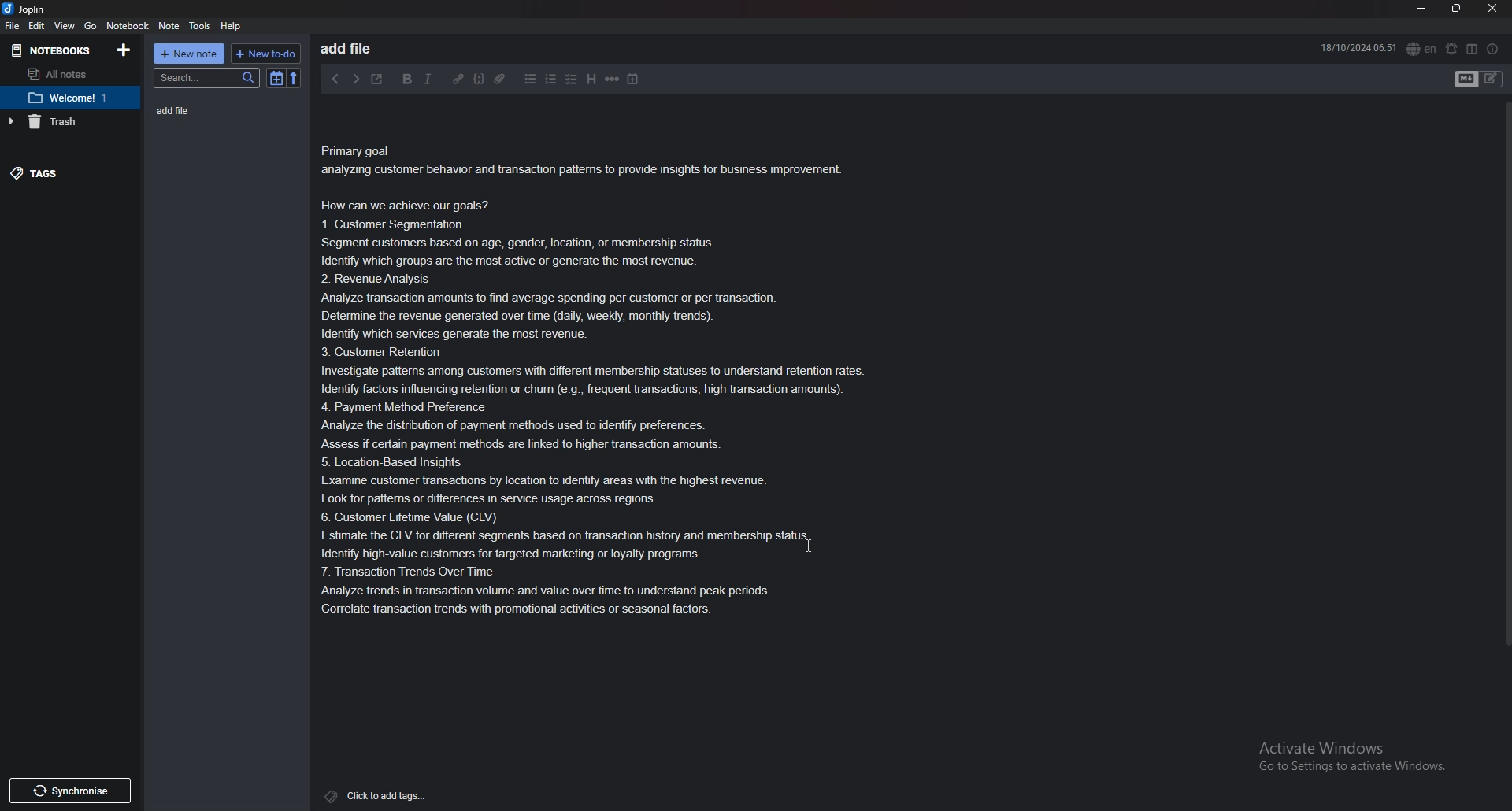  What do you see at coordinates (378, 794) in the screenshot?
I see `Add tags` at bounding box center [378, 794].